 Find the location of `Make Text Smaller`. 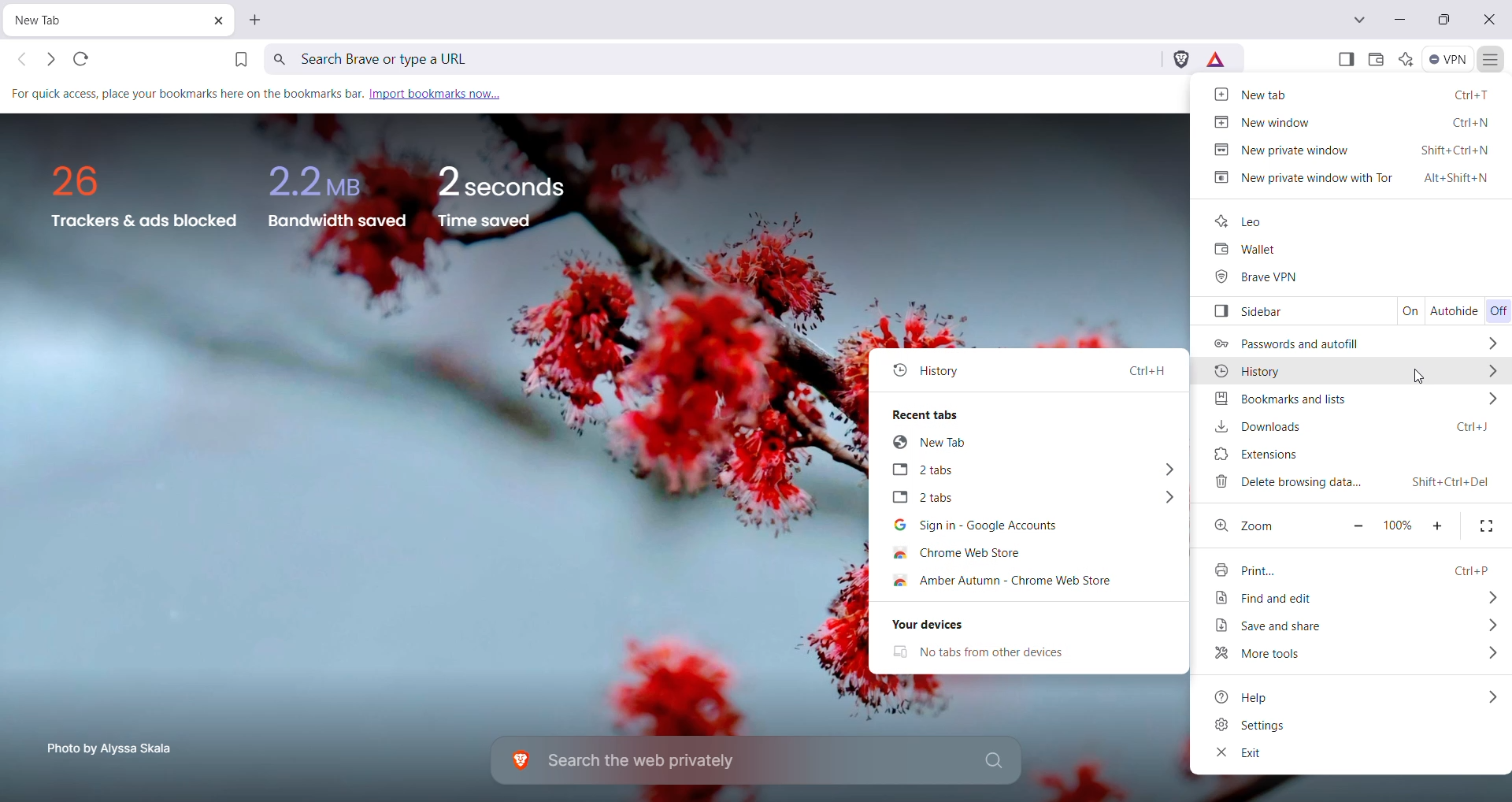

Make Text Smaller is located at coordinates (1358, 524).